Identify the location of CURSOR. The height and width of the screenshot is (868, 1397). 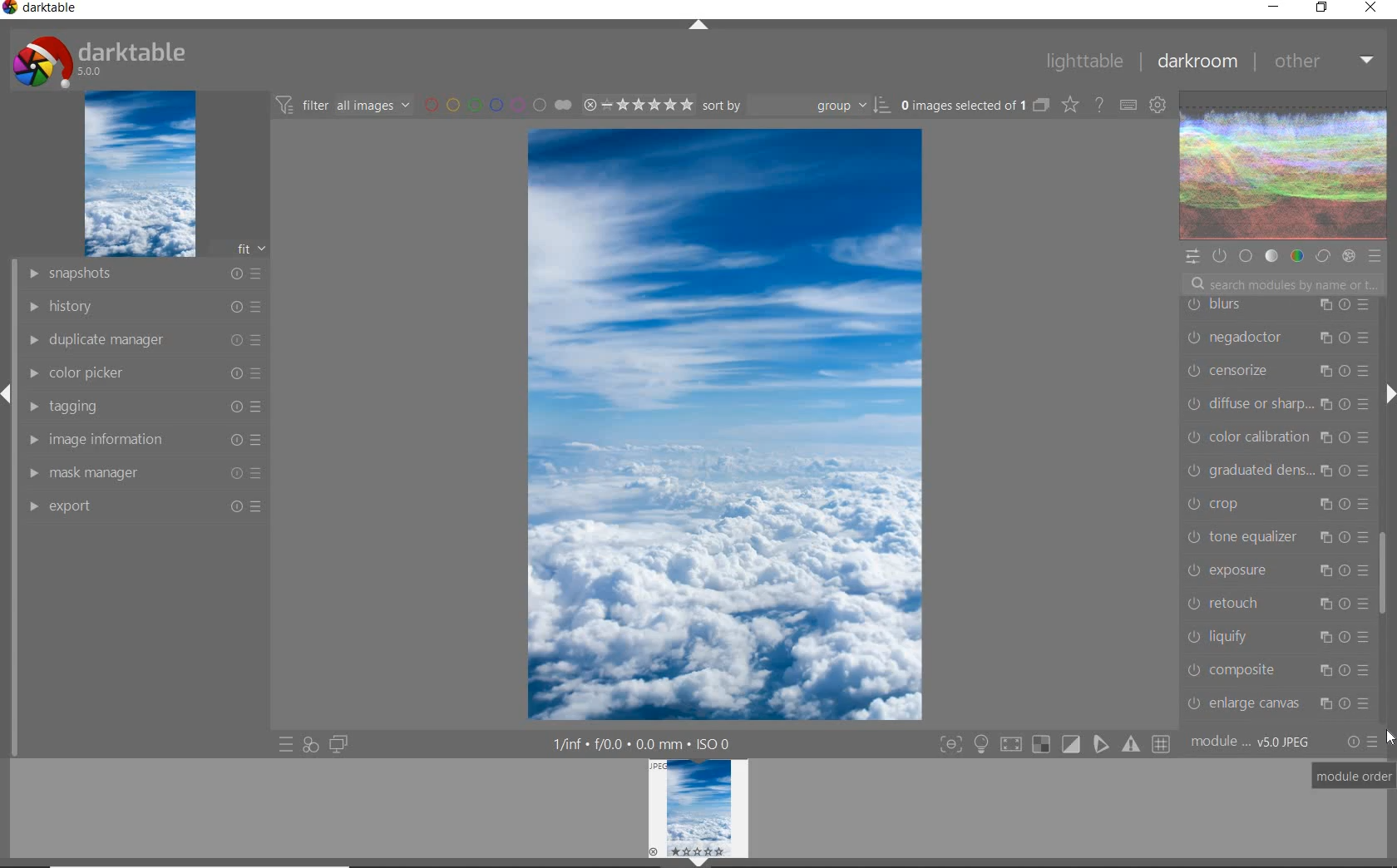
(1390, 738).